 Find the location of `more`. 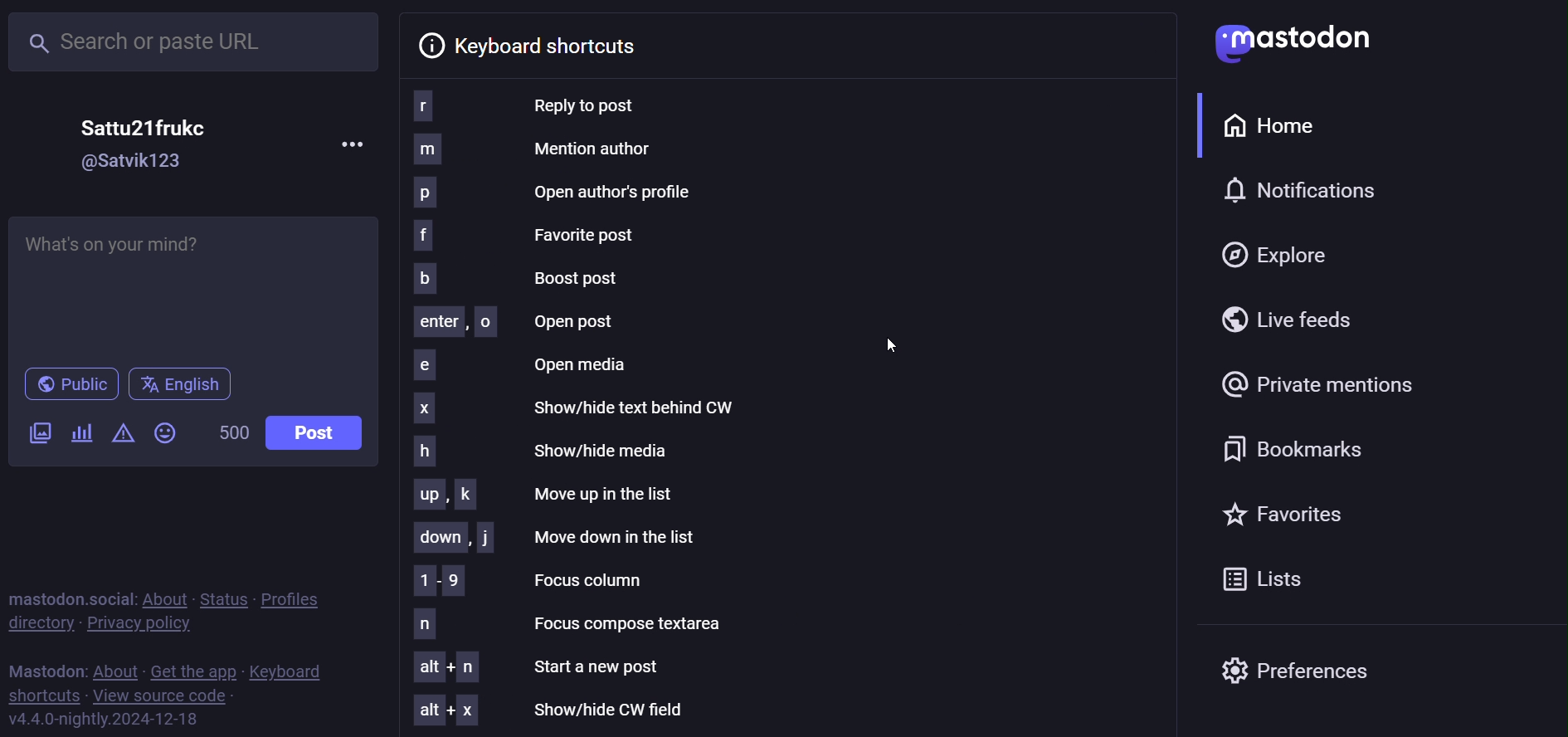

more is located at coordinates (352, 142).